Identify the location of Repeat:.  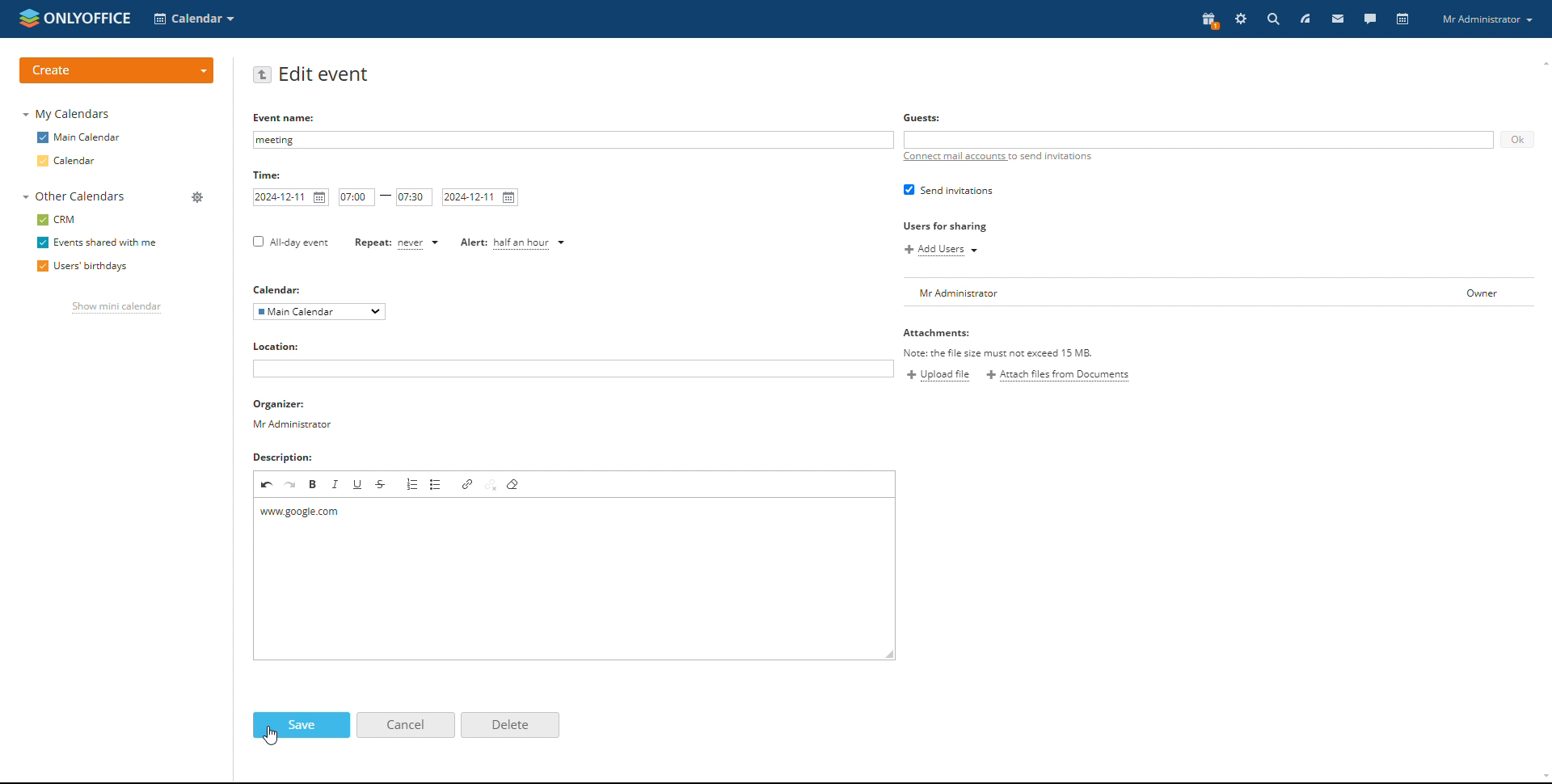
(373, 242).